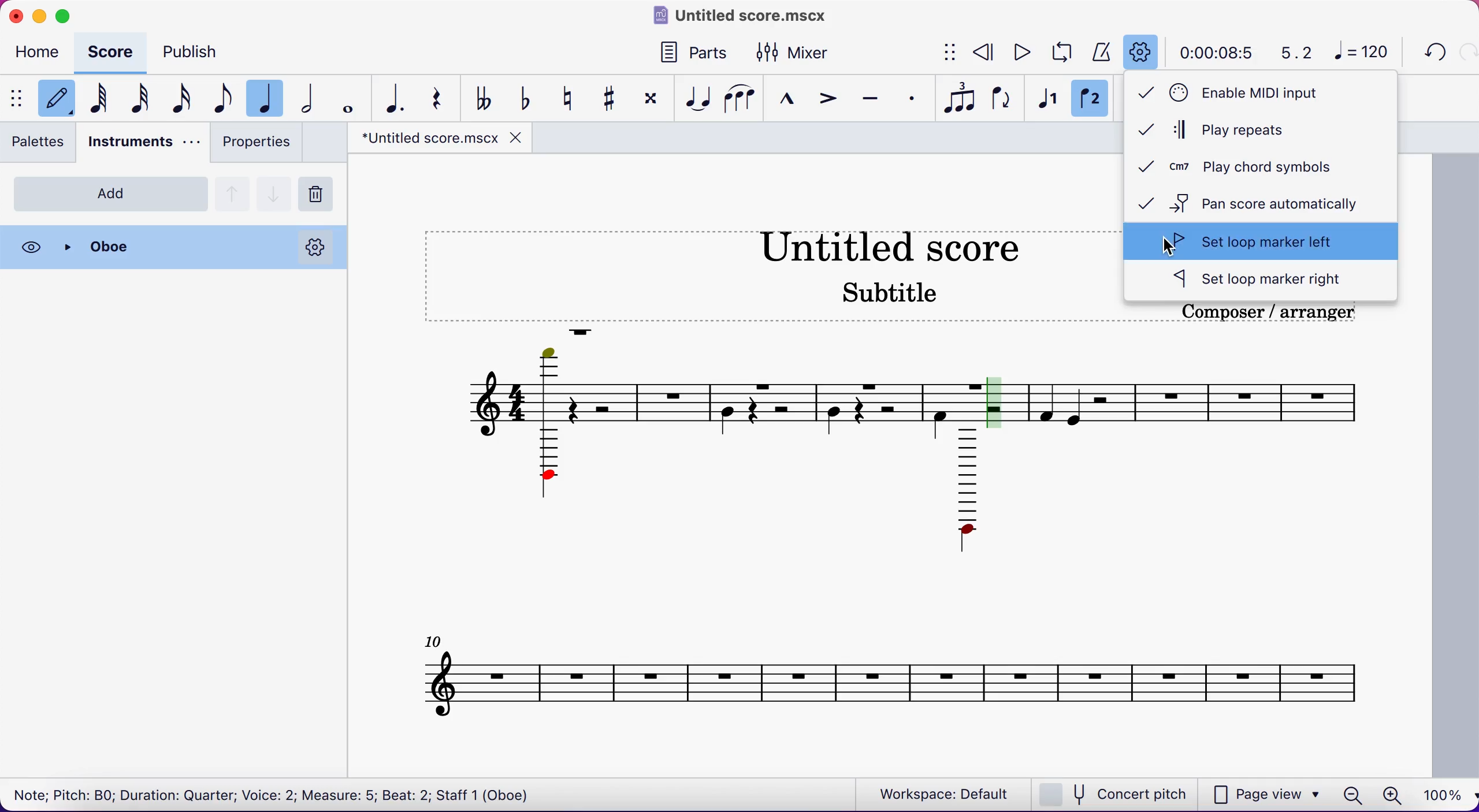  What do you see at coordinates (315, 247) in the screenshot?
I see `more options` at bounding box center [315, 247].